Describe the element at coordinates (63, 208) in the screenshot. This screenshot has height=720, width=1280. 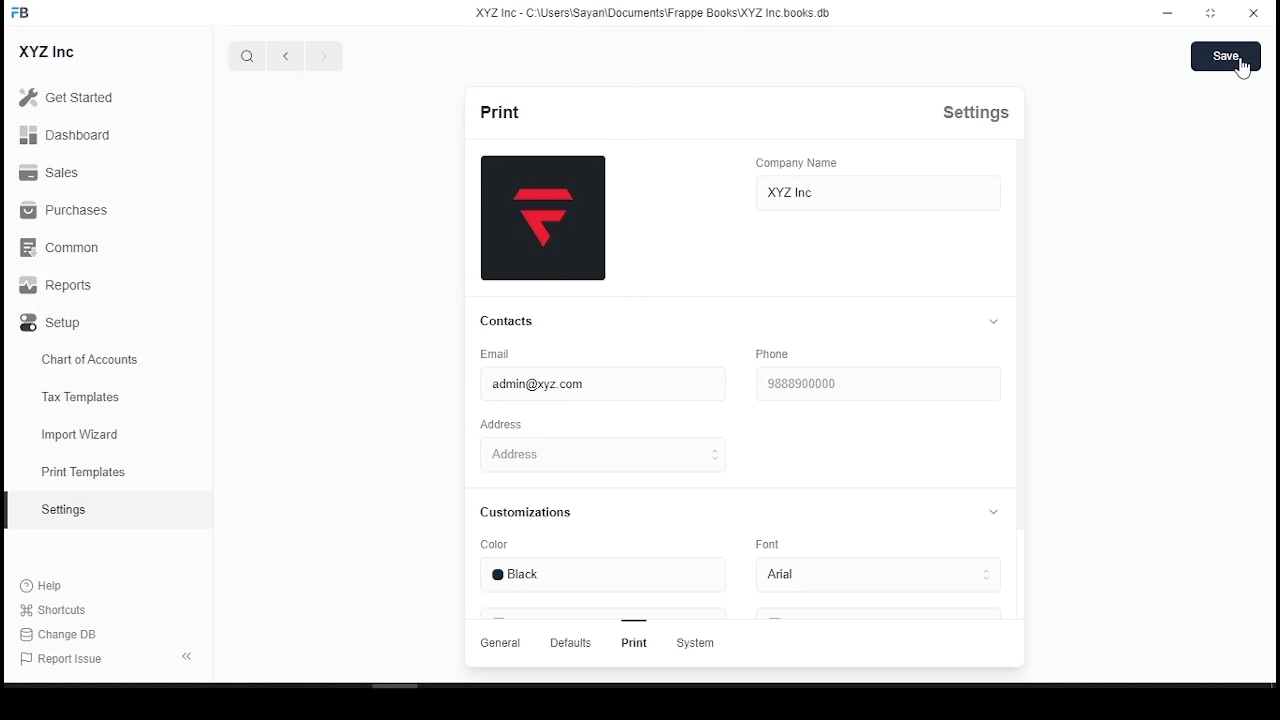
I see `Purchases` at that location.